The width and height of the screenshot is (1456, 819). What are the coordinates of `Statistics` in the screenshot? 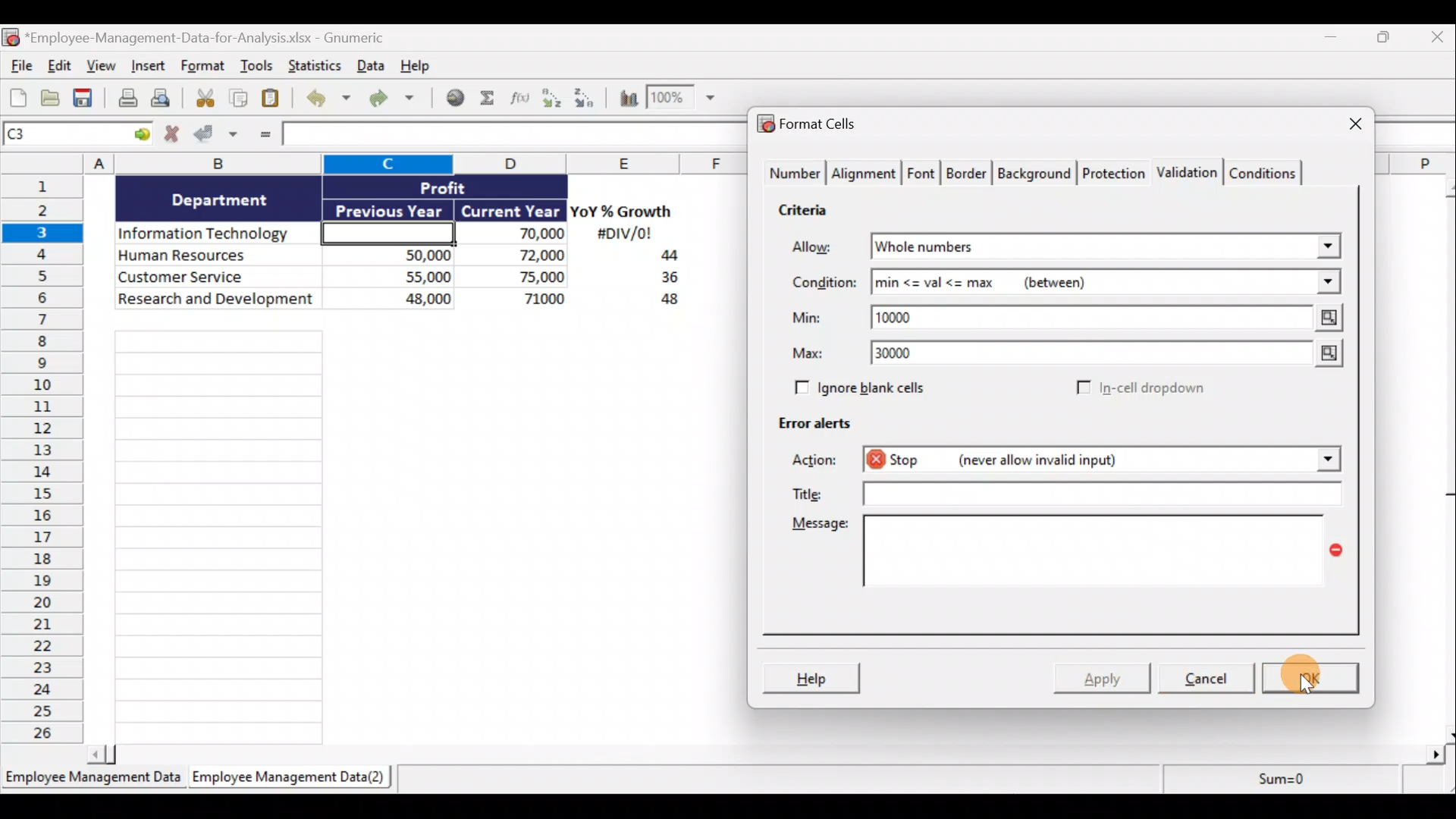 It's located at (313, 65).